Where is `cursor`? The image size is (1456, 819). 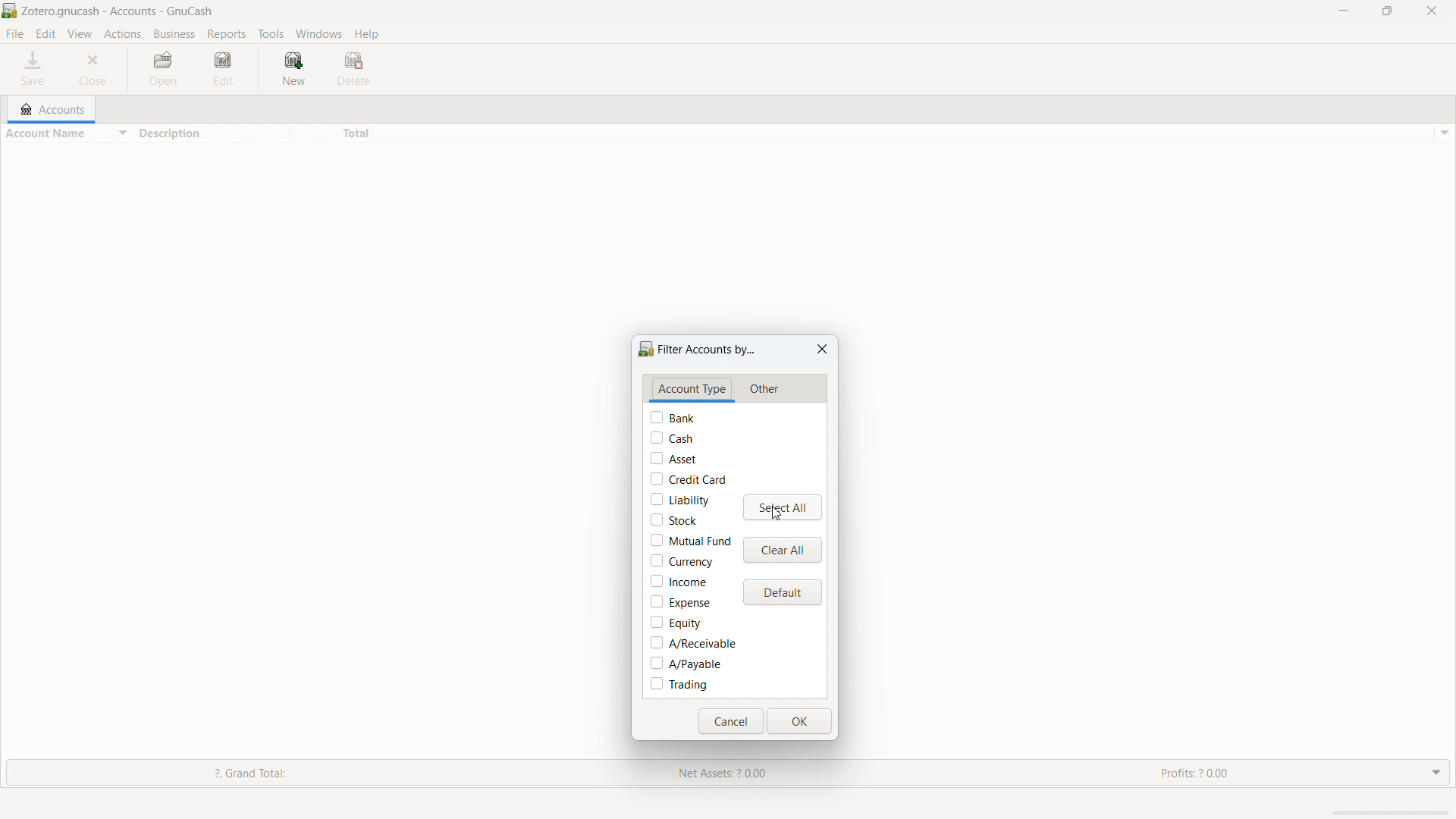 cursor is located at coordinates (776, 516).